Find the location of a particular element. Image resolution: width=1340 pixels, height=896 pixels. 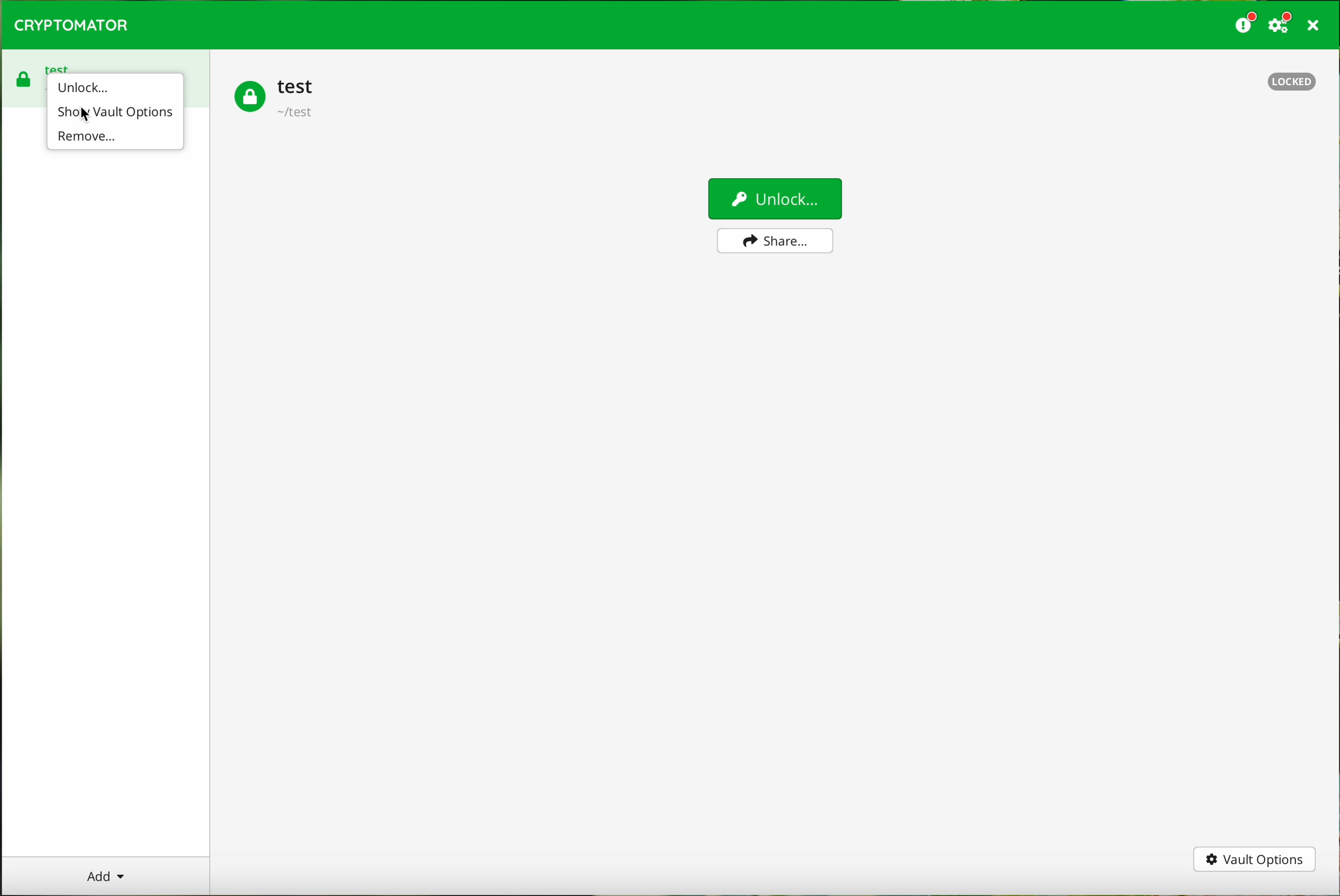

test vault is located at coordinates (278, 99).